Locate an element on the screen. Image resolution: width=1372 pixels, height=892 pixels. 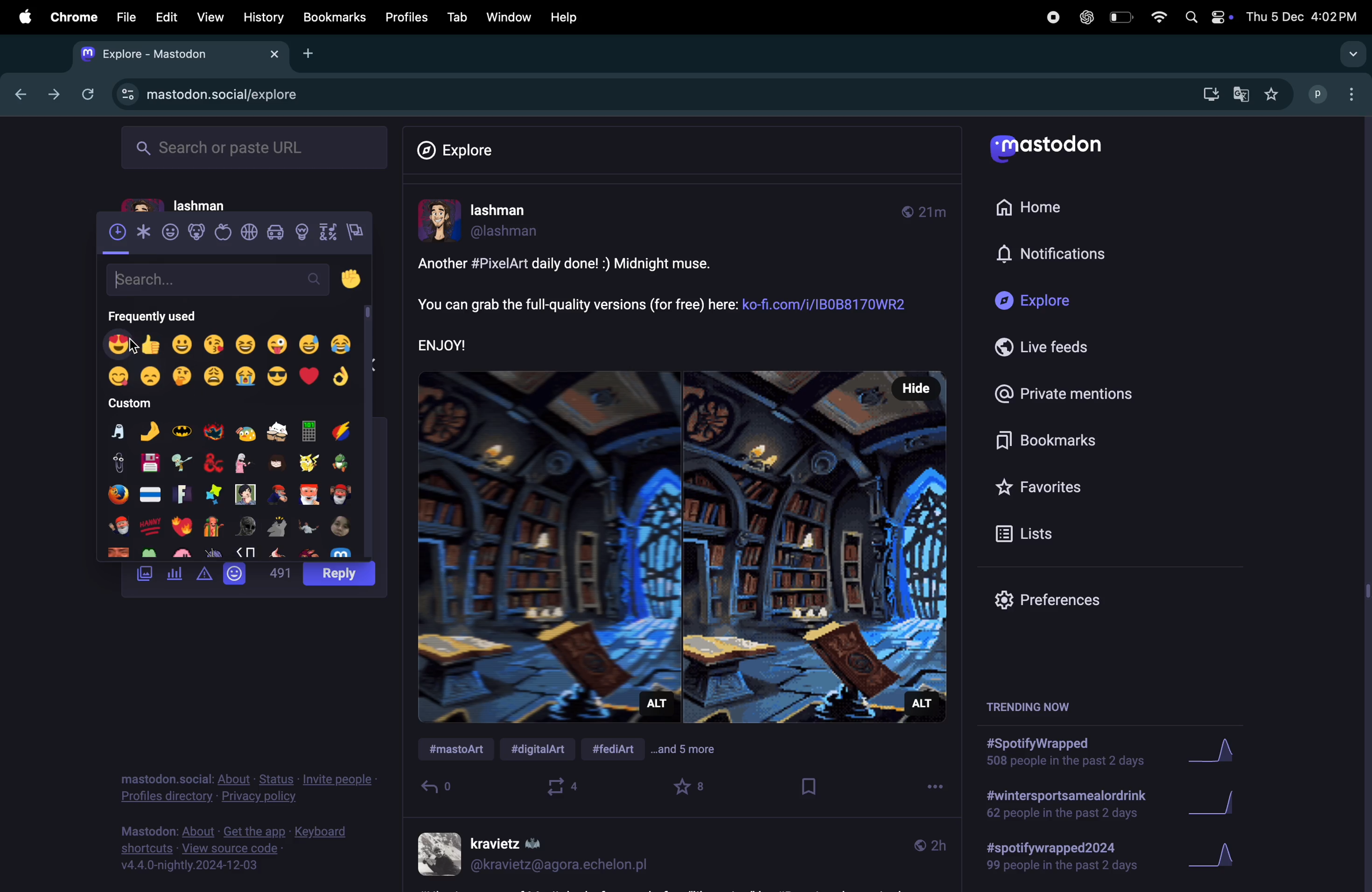
emoji is located at coordinates (232, 490).